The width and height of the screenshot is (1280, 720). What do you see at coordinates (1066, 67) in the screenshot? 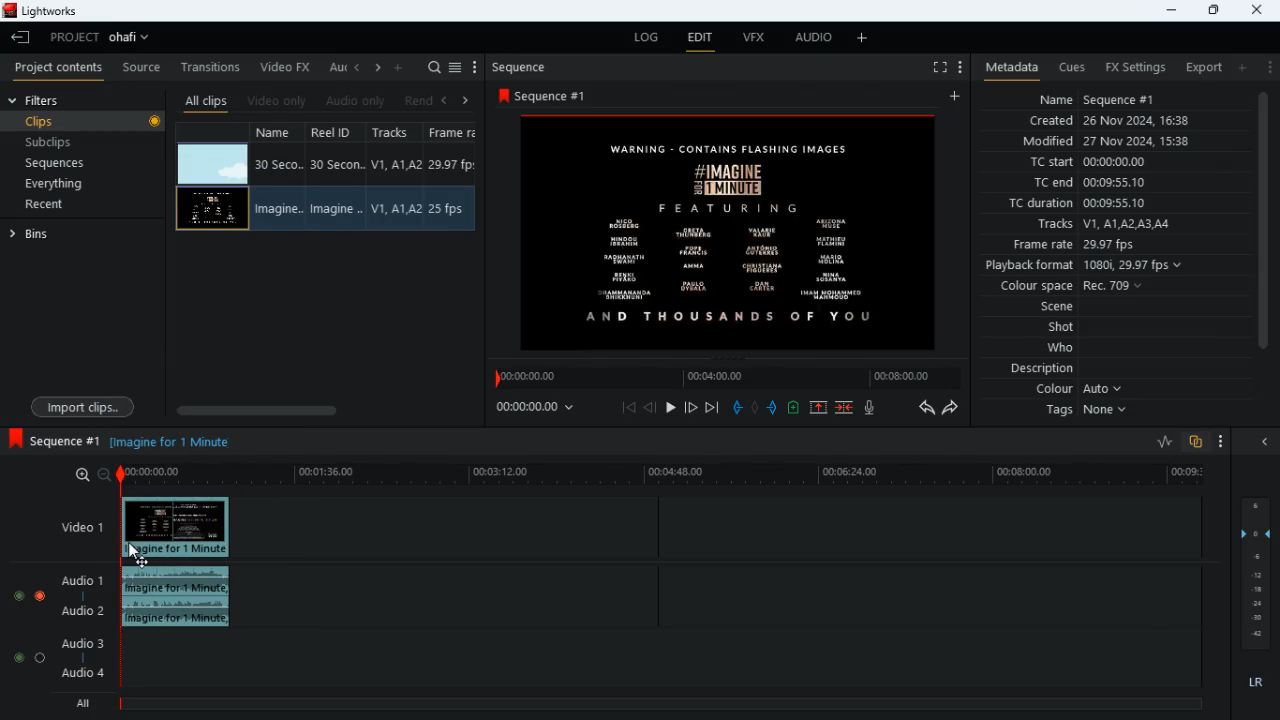
I see `cues` at bounding box center [1066, 67].